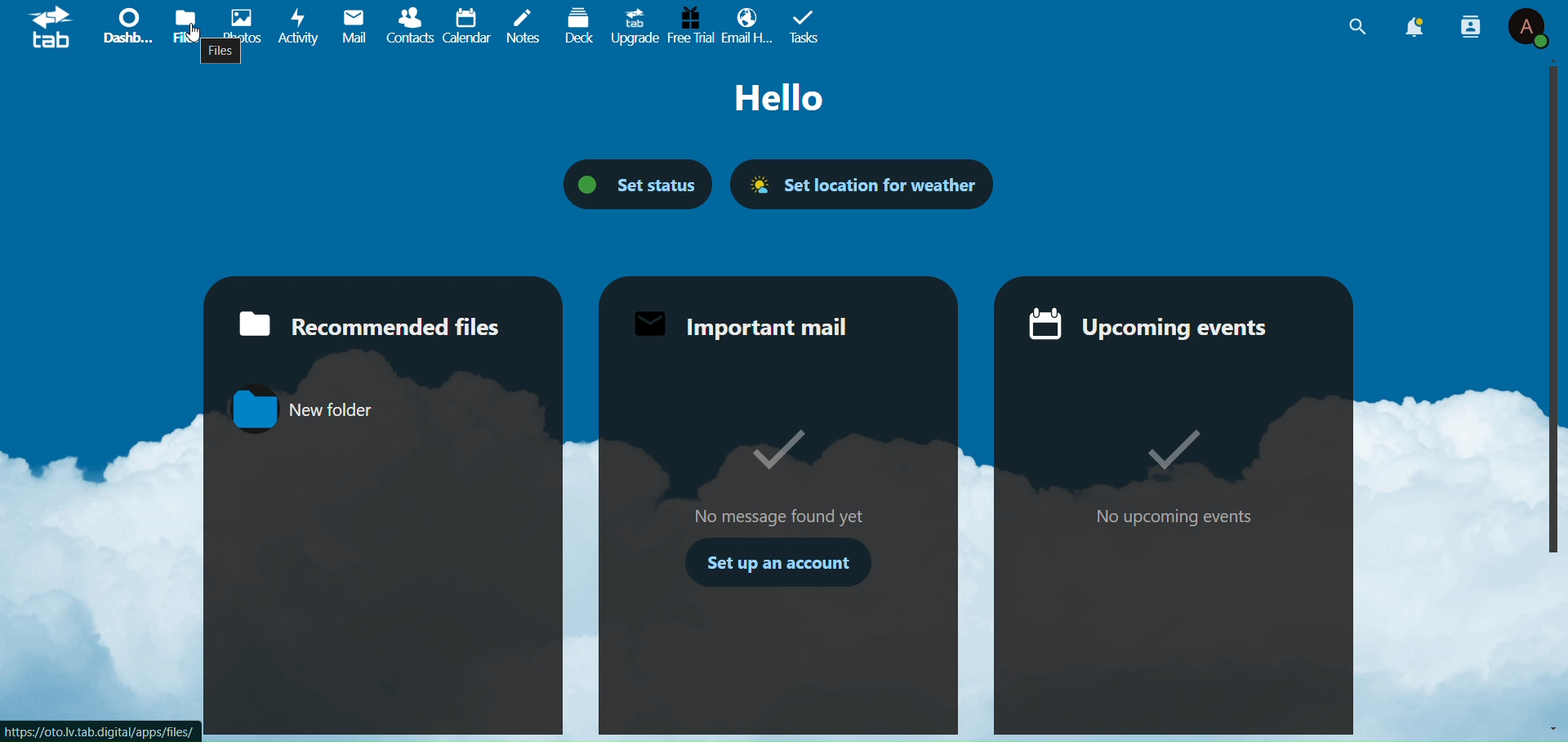 This screenshot has height=742, width=1568. Describe the element at coordinates (742, 324) in the screenshot. I see `Important Mail` at that location.